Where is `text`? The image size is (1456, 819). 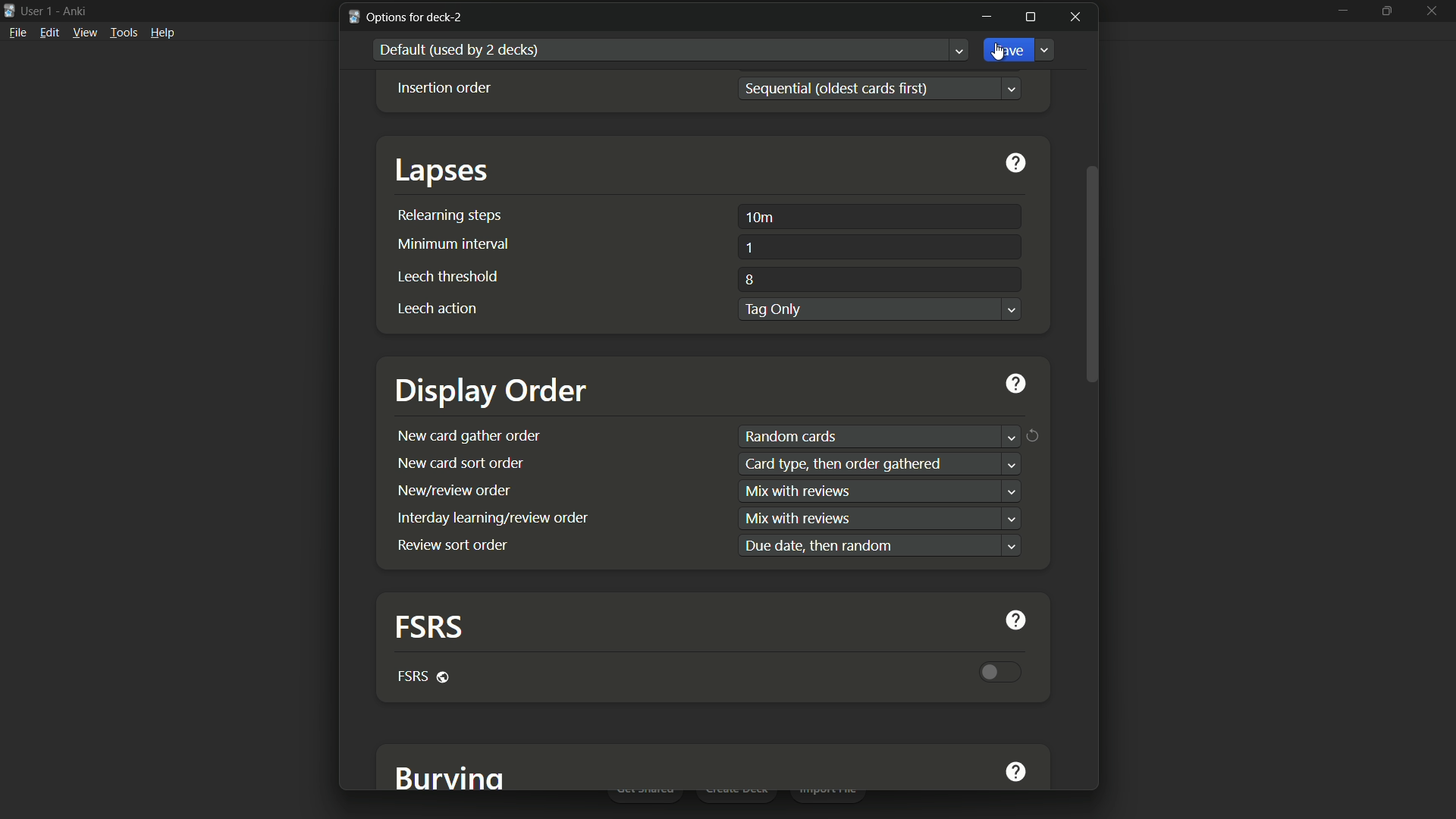
text is located at coordinates (821, 544).